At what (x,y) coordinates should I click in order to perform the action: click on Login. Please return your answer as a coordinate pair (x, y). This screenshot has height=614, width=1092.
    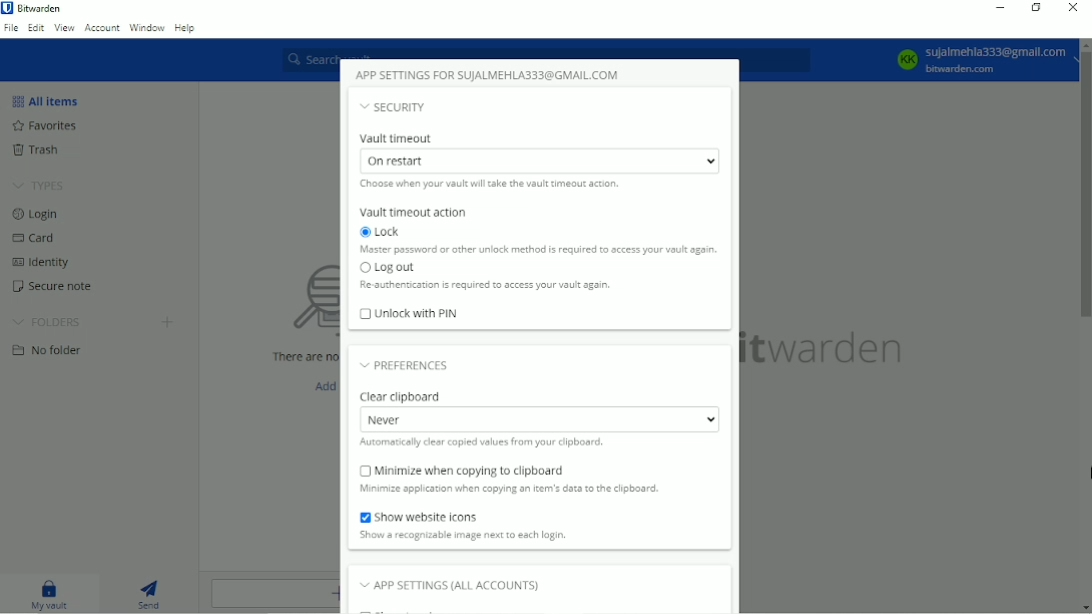
    Looking at the image, I should click on (36, 214).